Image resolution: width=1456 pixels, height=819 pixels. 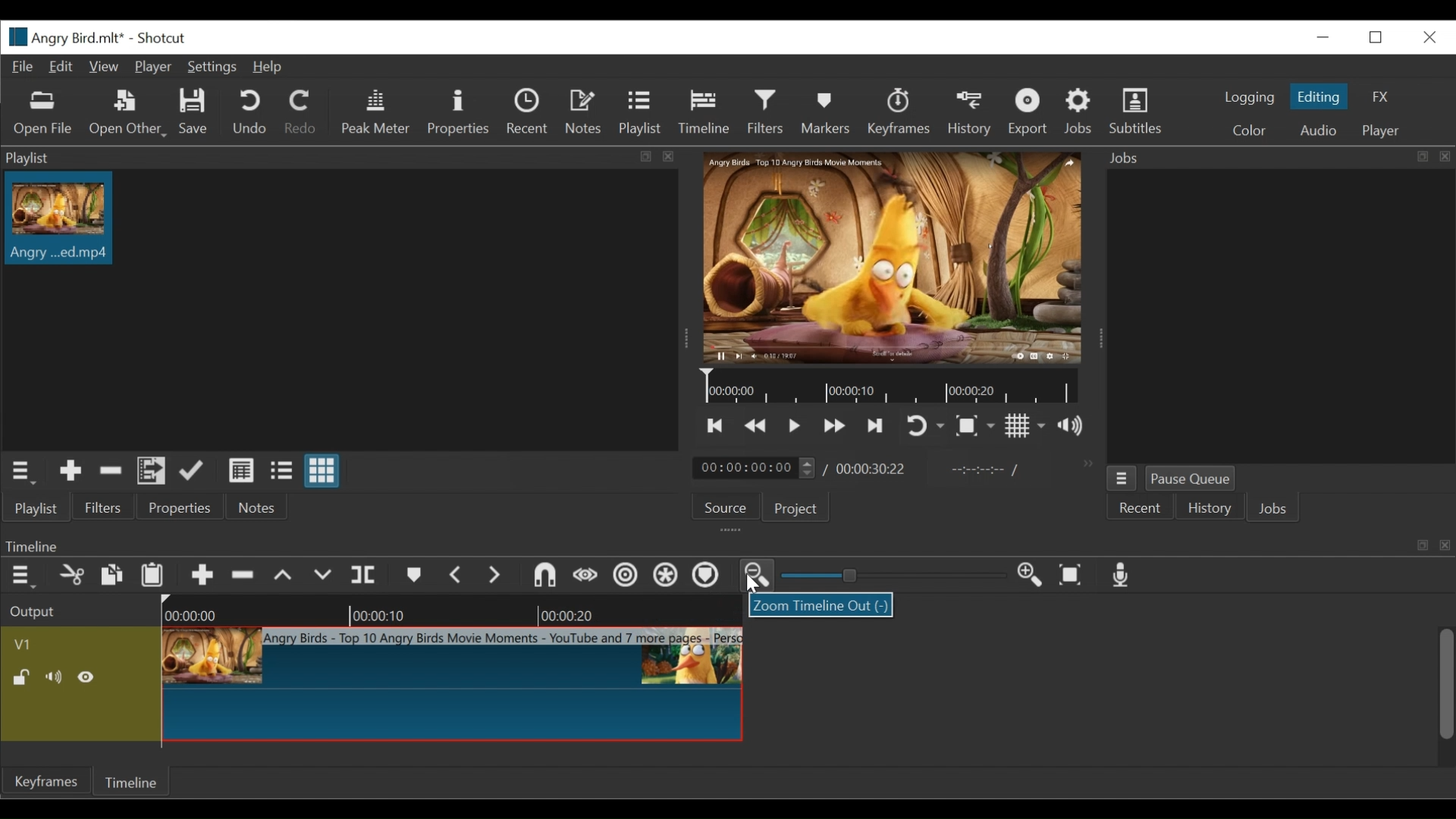 What do you see at coordinates (877, 426) in the screenshot?
I see `Skip to the next point` at bounding box center [877, 426].